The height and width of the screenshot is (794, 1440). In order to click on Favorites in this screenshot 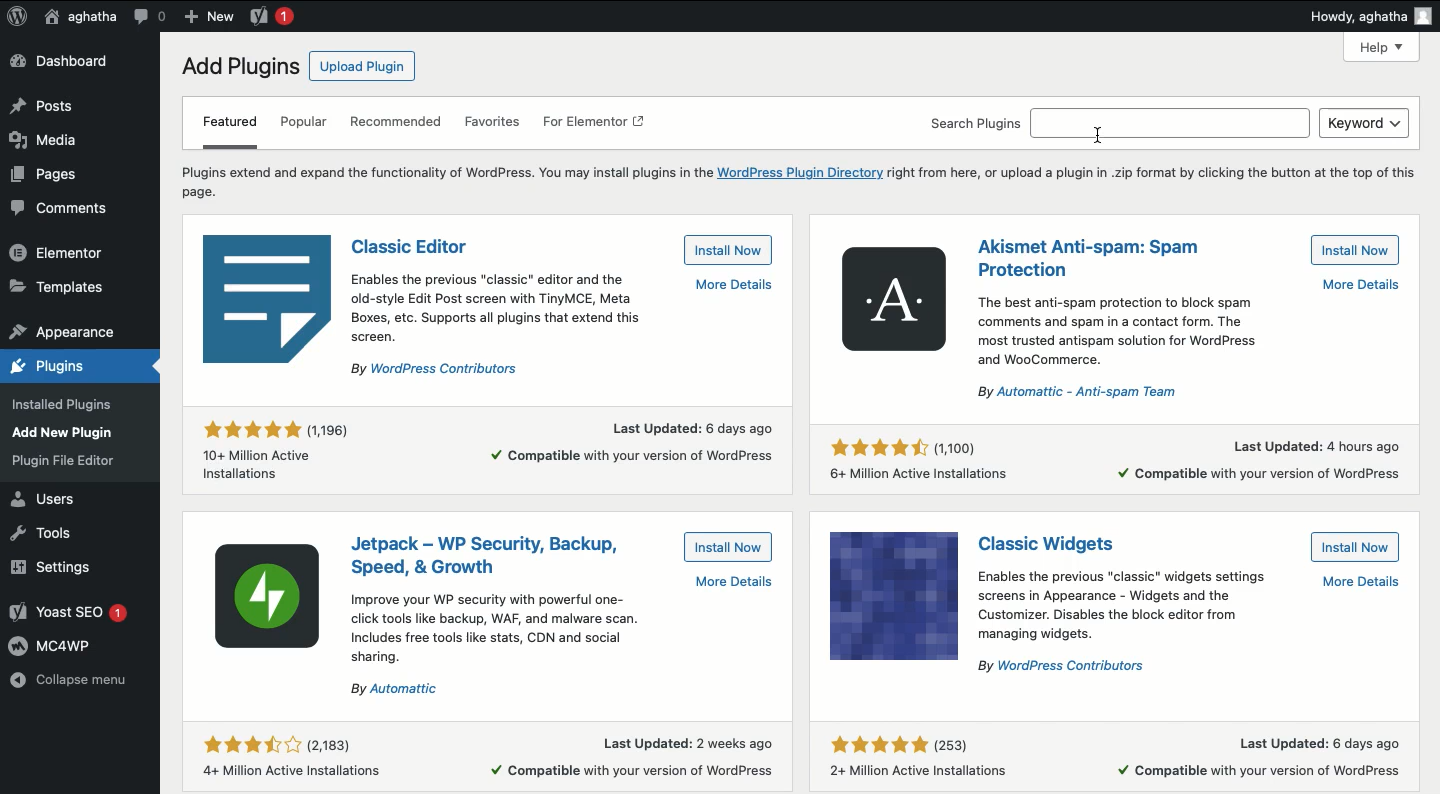, I will do `click(494, 123)`.